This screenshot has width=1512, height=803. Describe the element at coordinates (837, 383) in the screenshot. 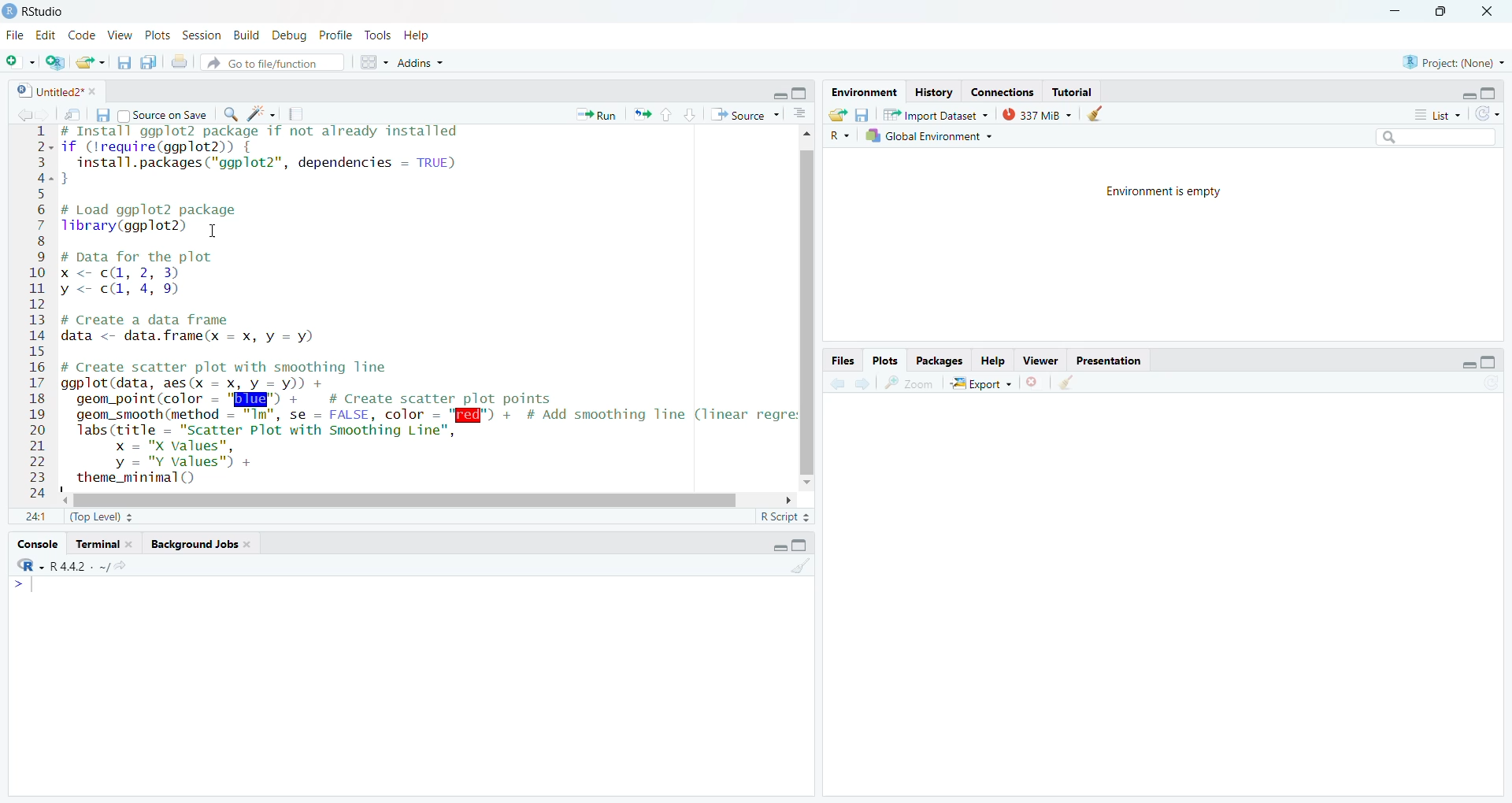

I see `go back` at that location.